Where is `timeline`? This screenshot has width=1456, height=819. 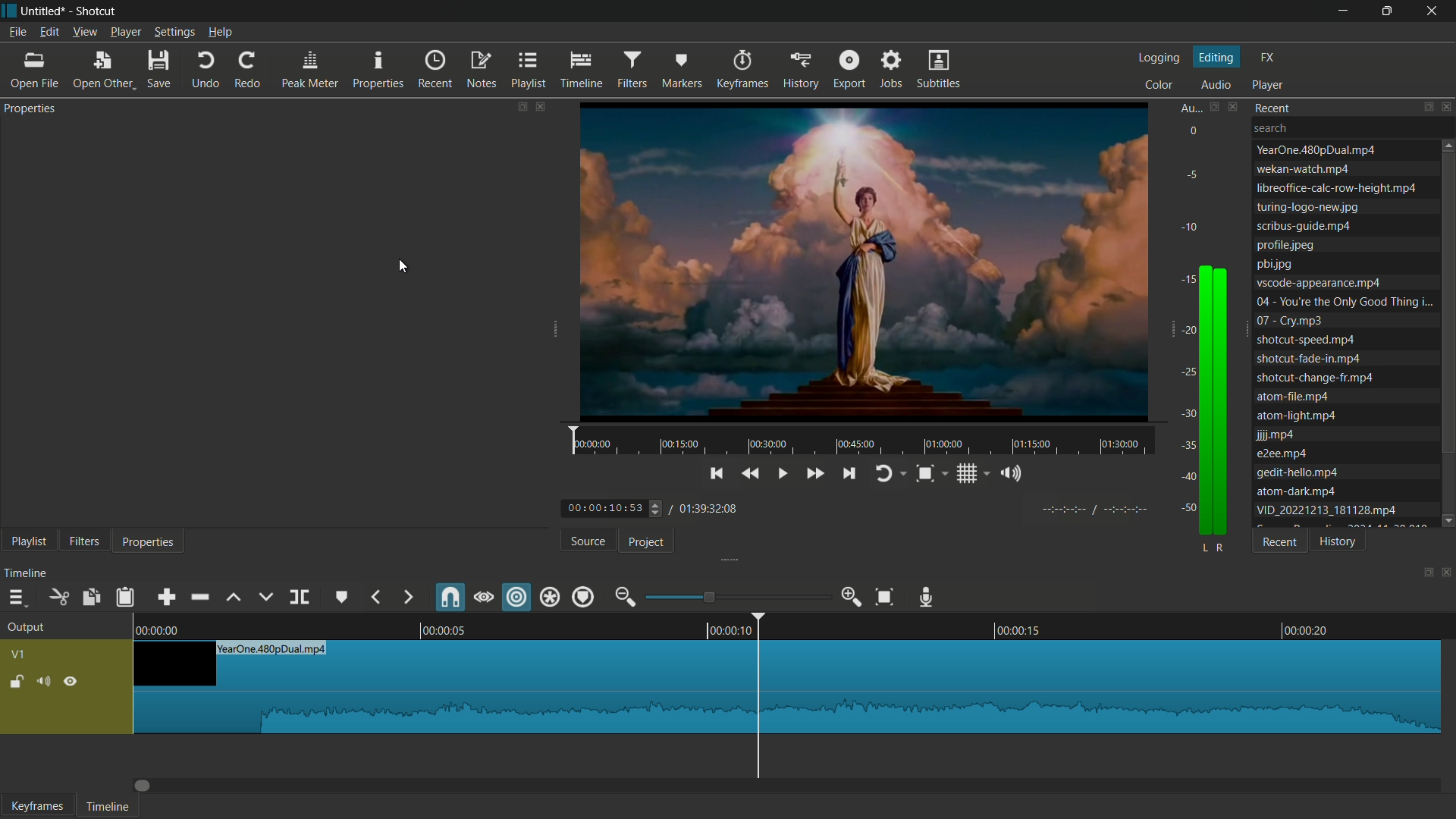
timeline is located at coordinates (782, 626).